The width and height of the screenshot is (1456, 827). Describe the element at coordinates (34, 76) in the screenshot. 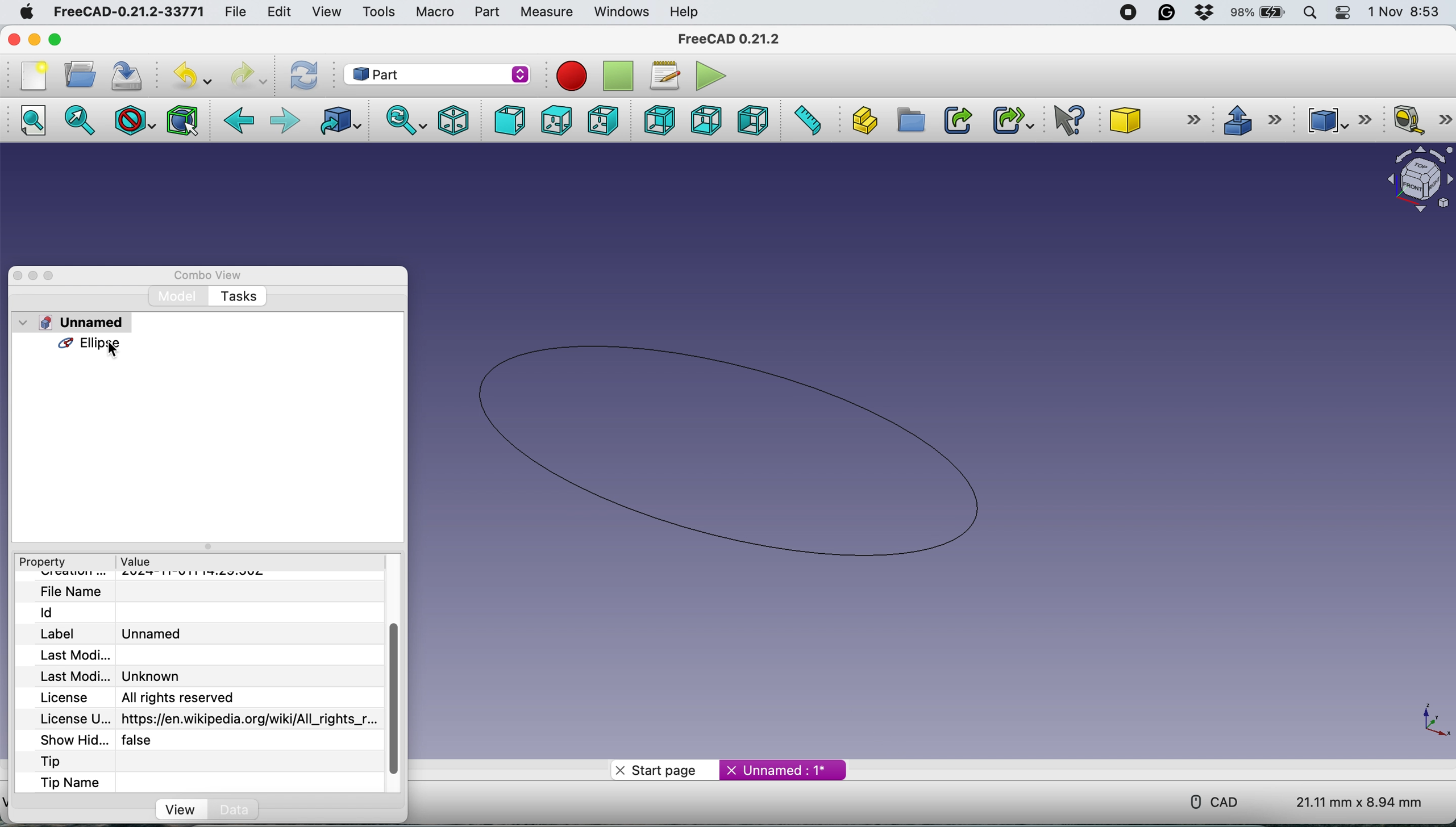

I see `new` at that location.